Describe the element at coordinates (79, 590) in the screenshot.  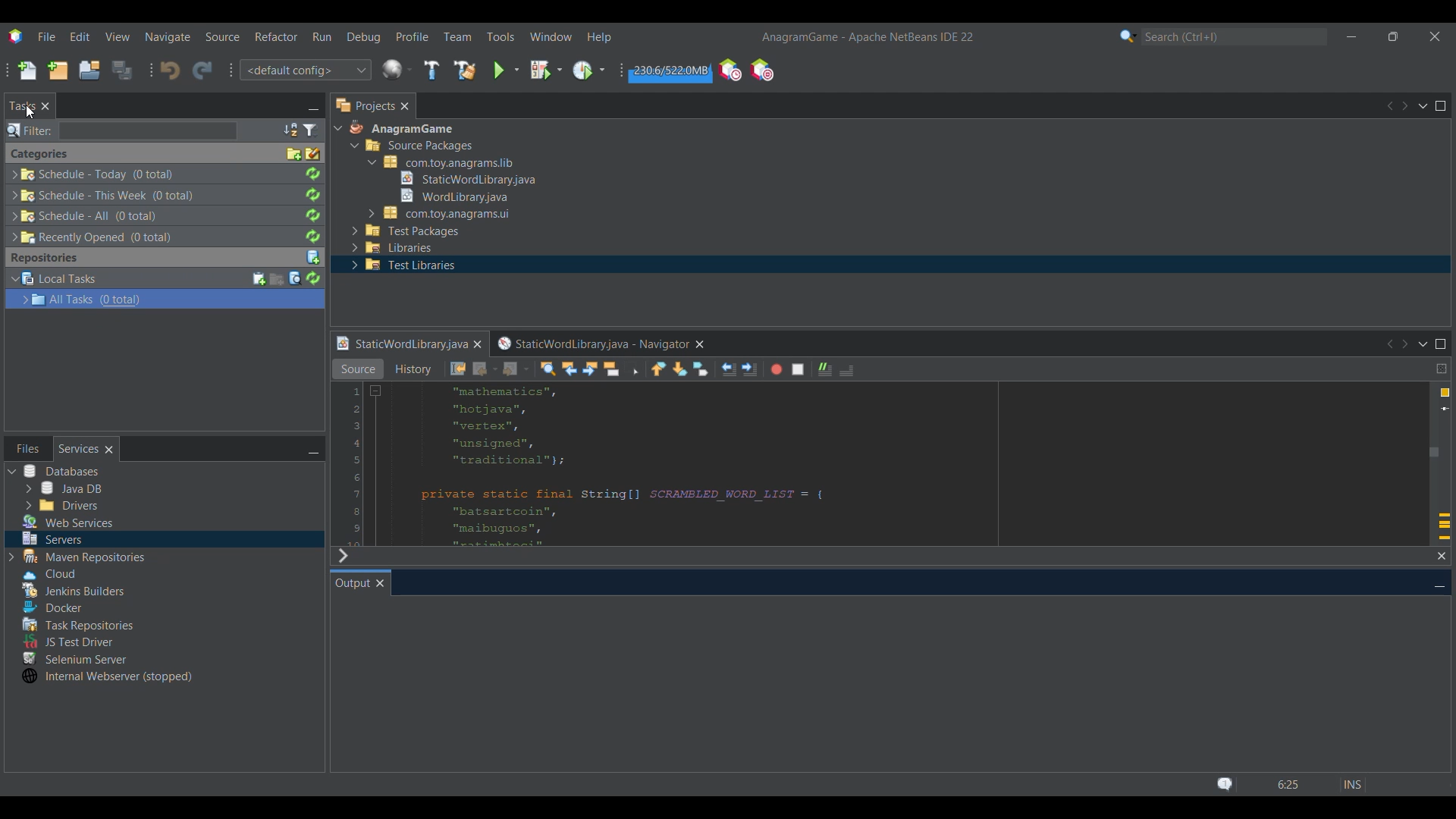
I see `` at that location.